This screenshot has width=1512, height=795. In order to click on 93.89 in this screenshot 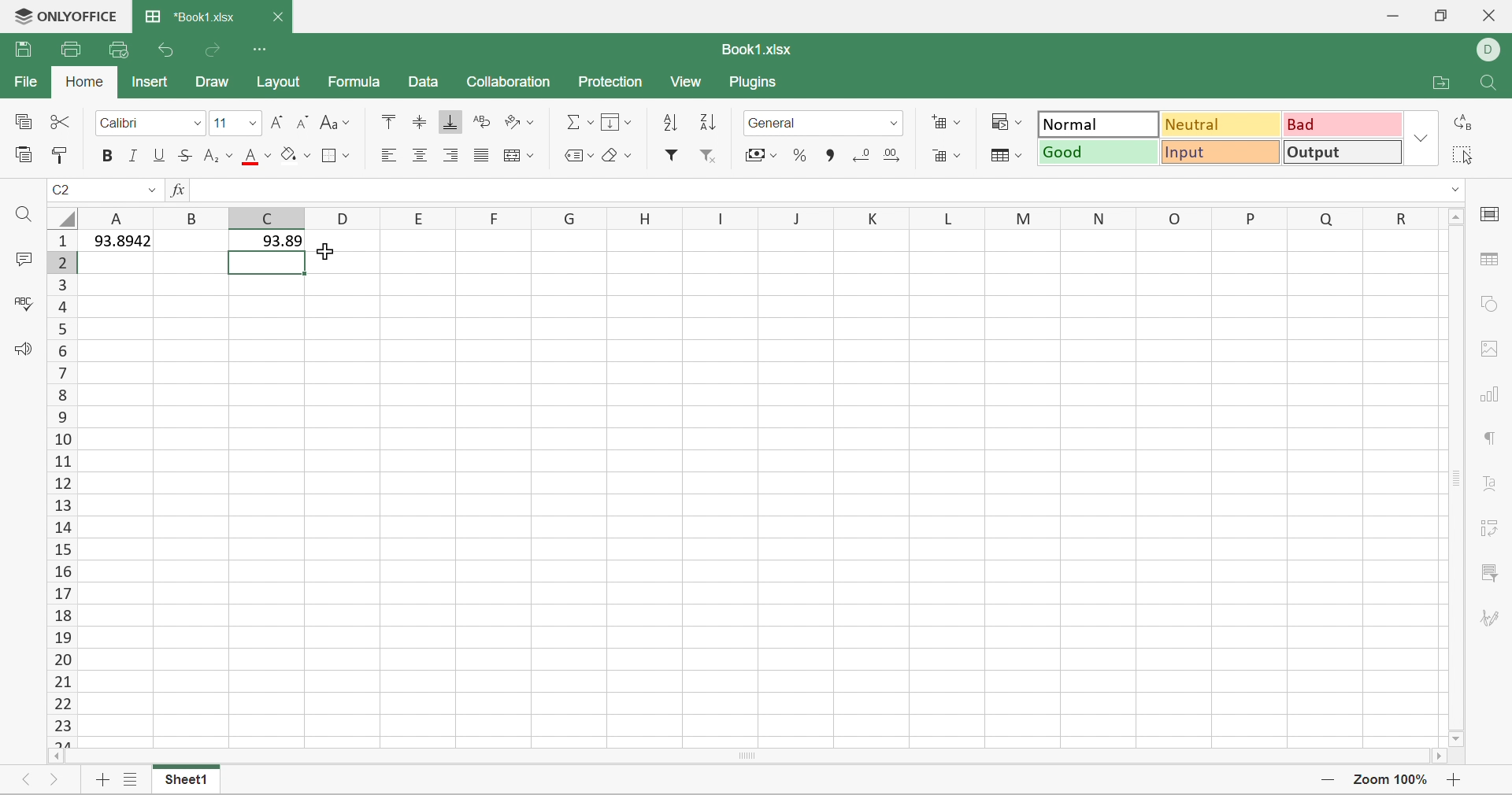, I will do `click(268, 243)`.